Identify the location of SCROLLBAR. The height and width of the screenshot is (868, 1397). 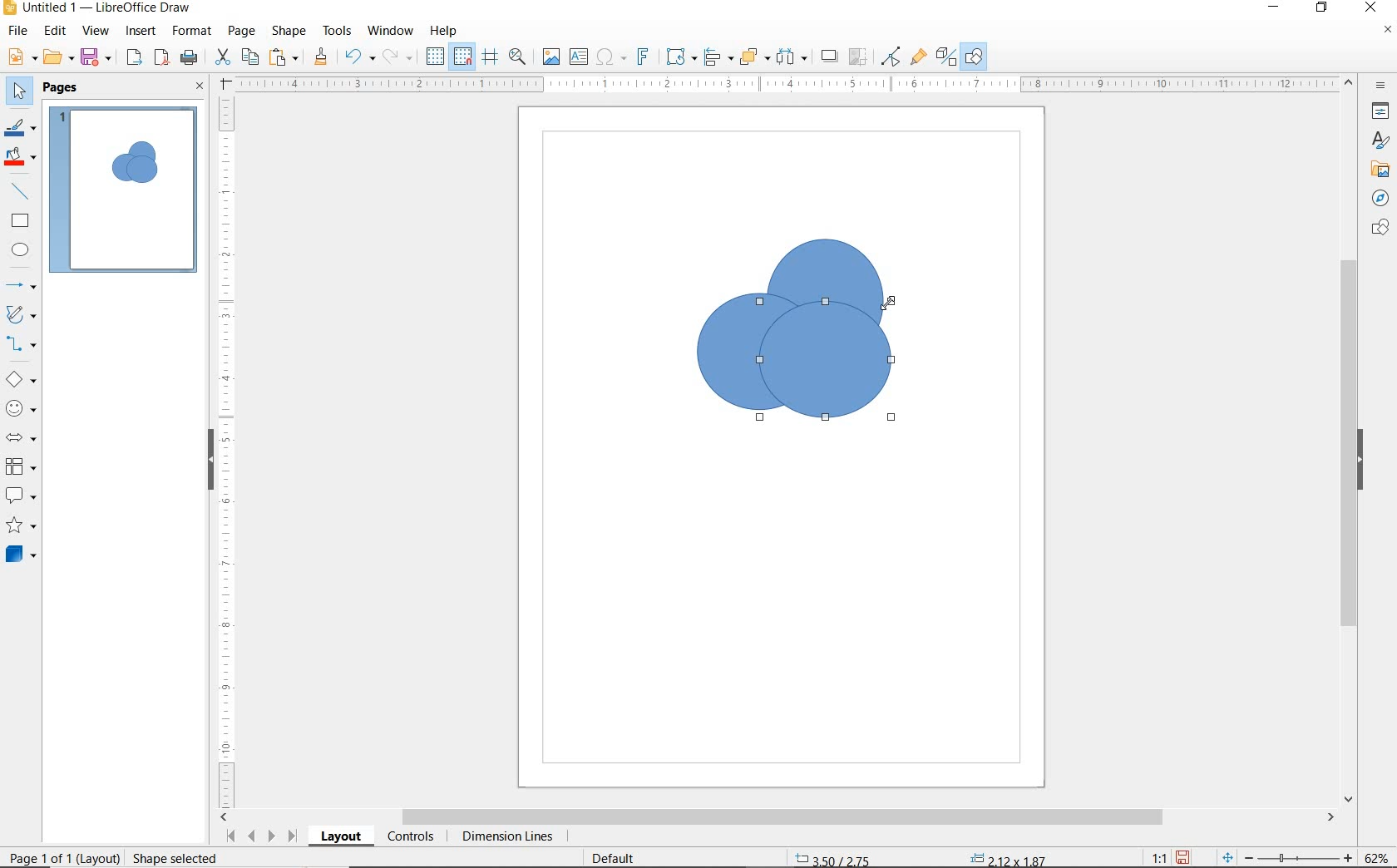
(778, 818).